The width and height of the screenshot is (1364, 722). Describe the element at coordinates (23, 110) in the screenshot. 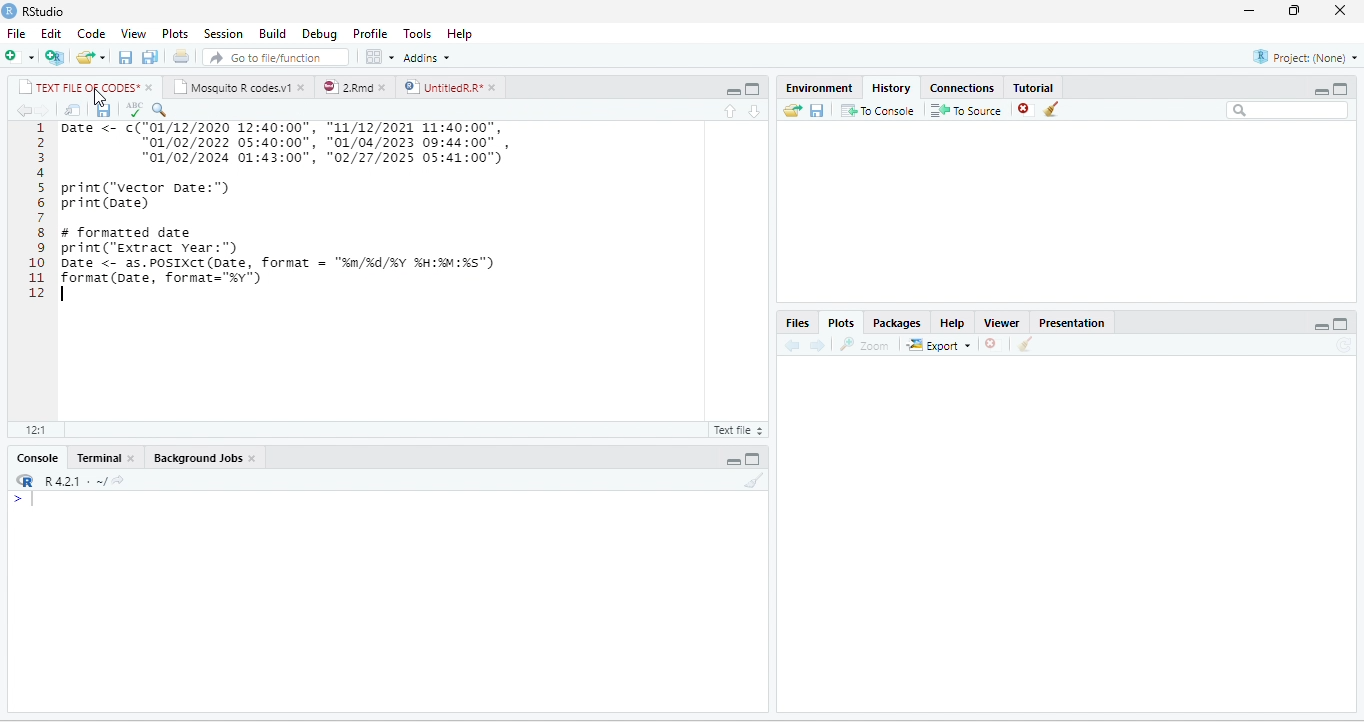

I see `back` at that location.